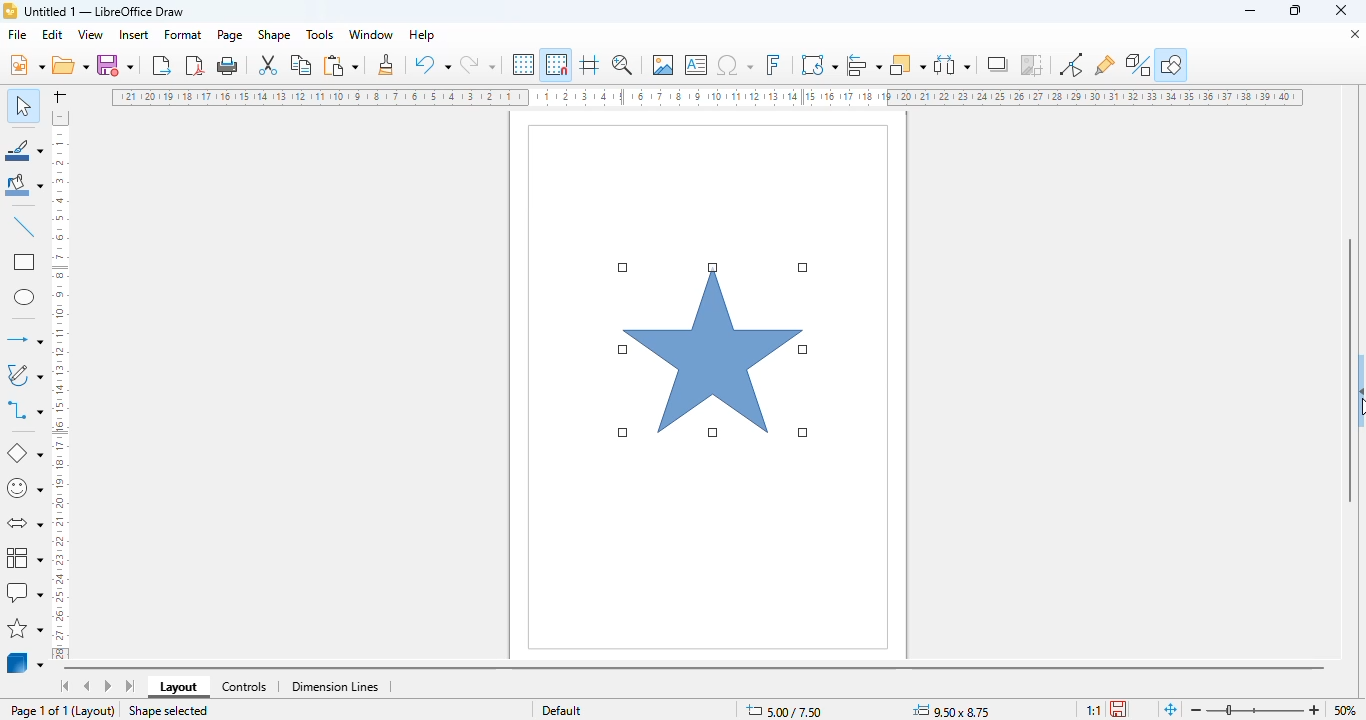  I want to click on (Layout), so click(94, 712).